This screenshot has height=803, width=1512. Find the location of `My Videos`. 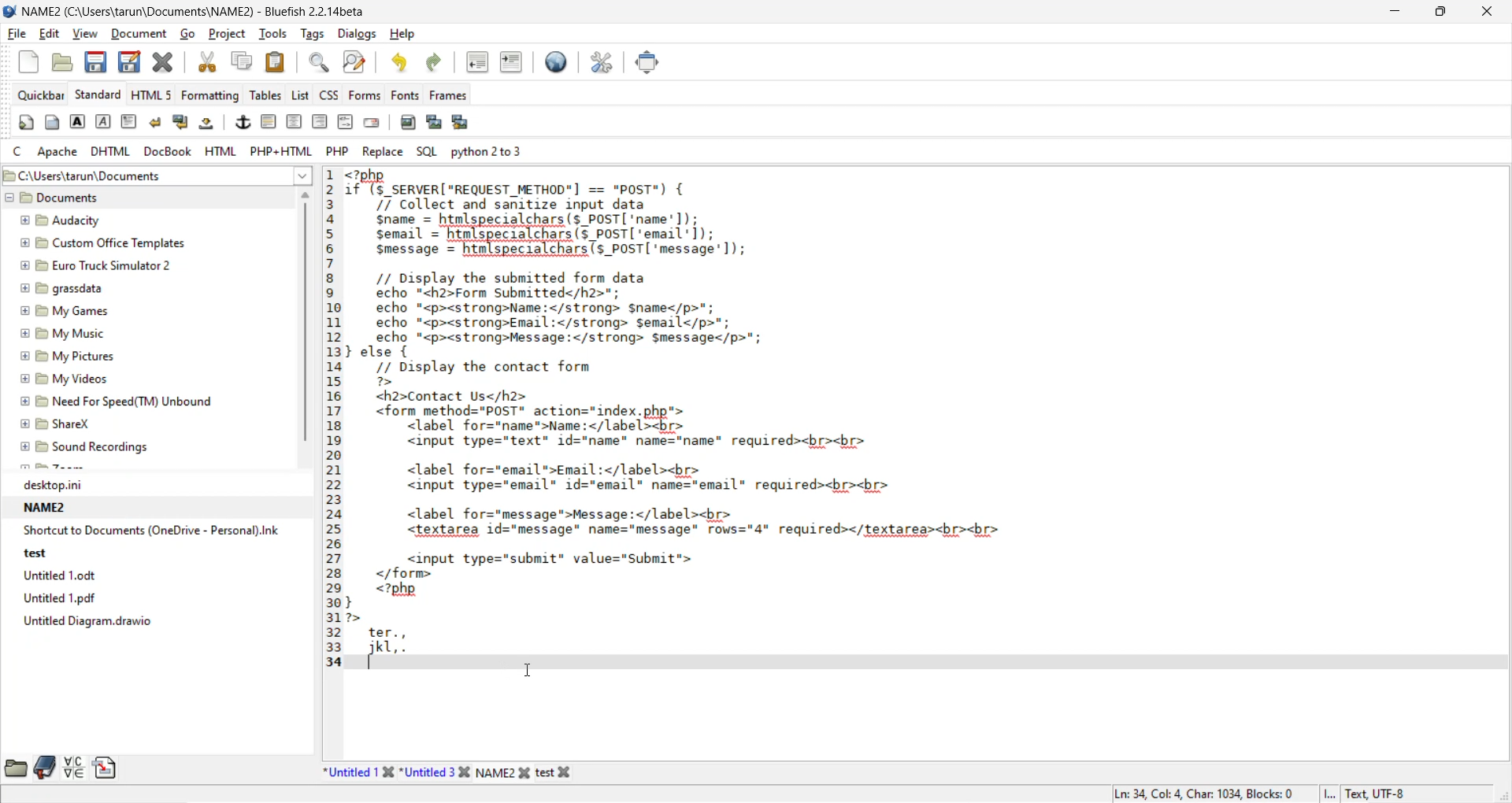

My Videos is located at coordinates (77, 378).